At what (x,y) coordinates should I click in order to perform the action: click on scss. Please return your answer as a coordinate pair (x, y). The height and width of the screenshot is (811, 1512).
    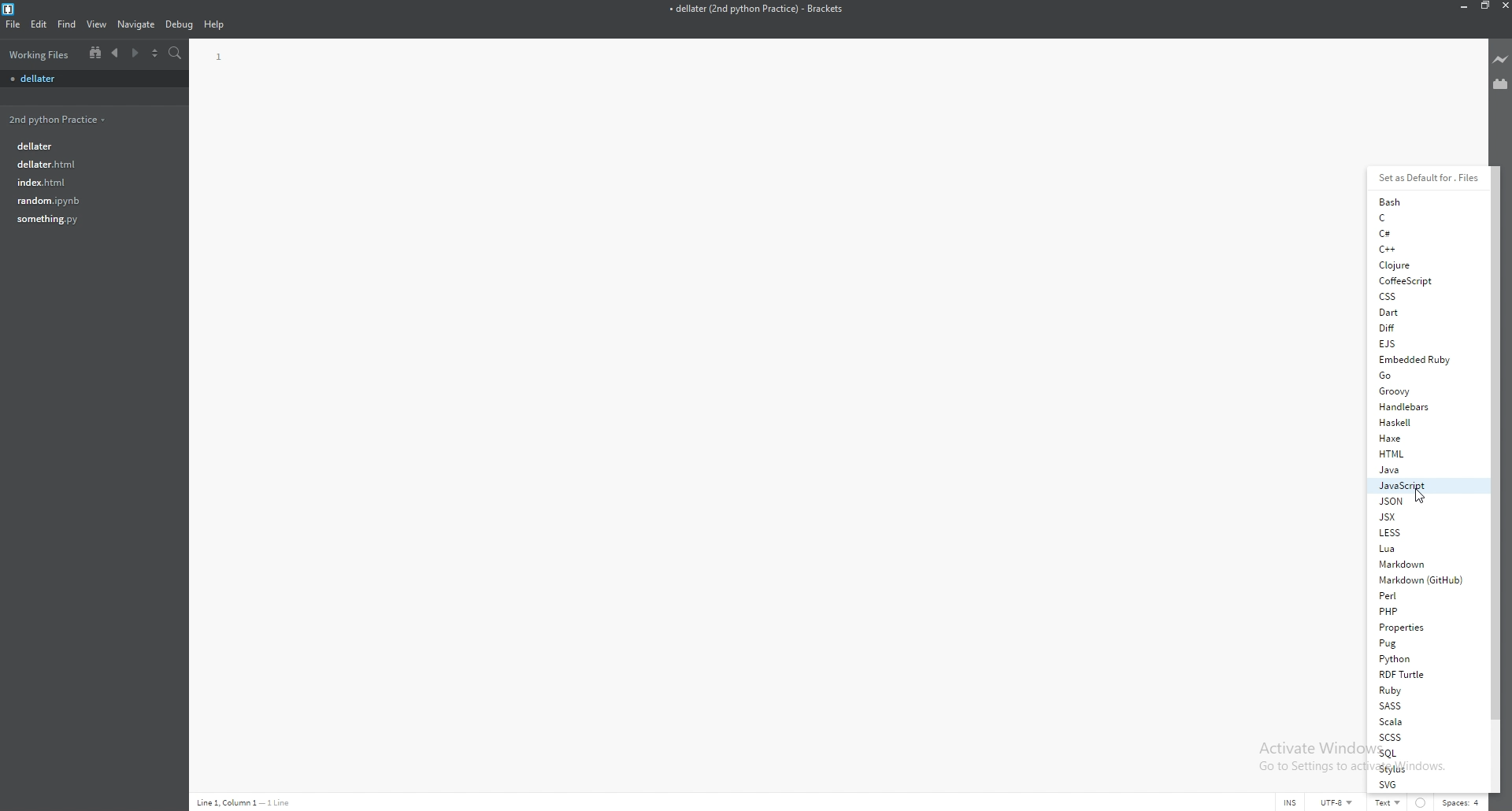
    Looking at the image, I should click on (1419, 737).